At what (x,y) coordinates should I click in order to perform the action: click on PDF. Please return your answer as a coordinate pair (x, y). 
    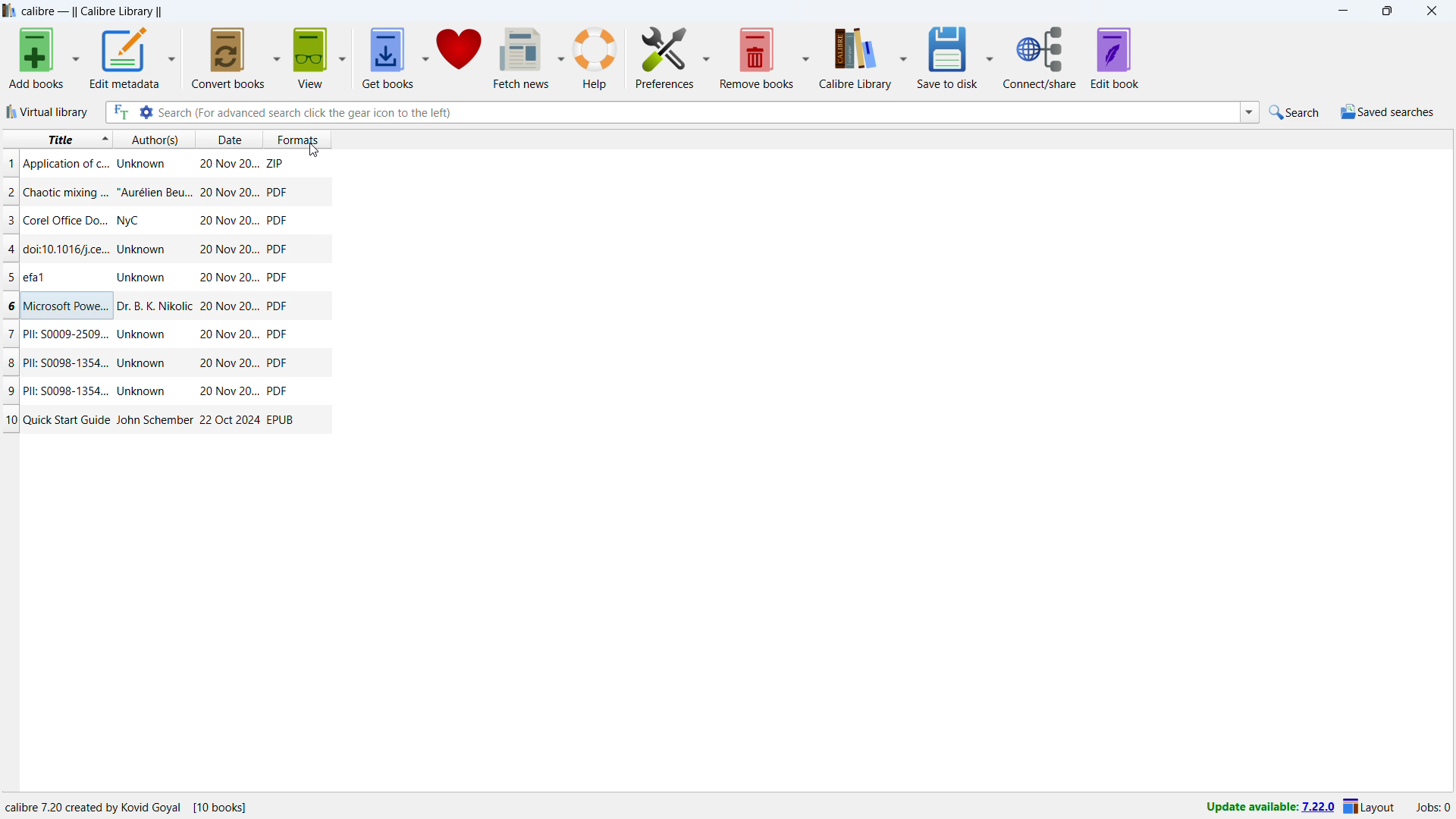
    Looking at the image, I should click on (279, 278).